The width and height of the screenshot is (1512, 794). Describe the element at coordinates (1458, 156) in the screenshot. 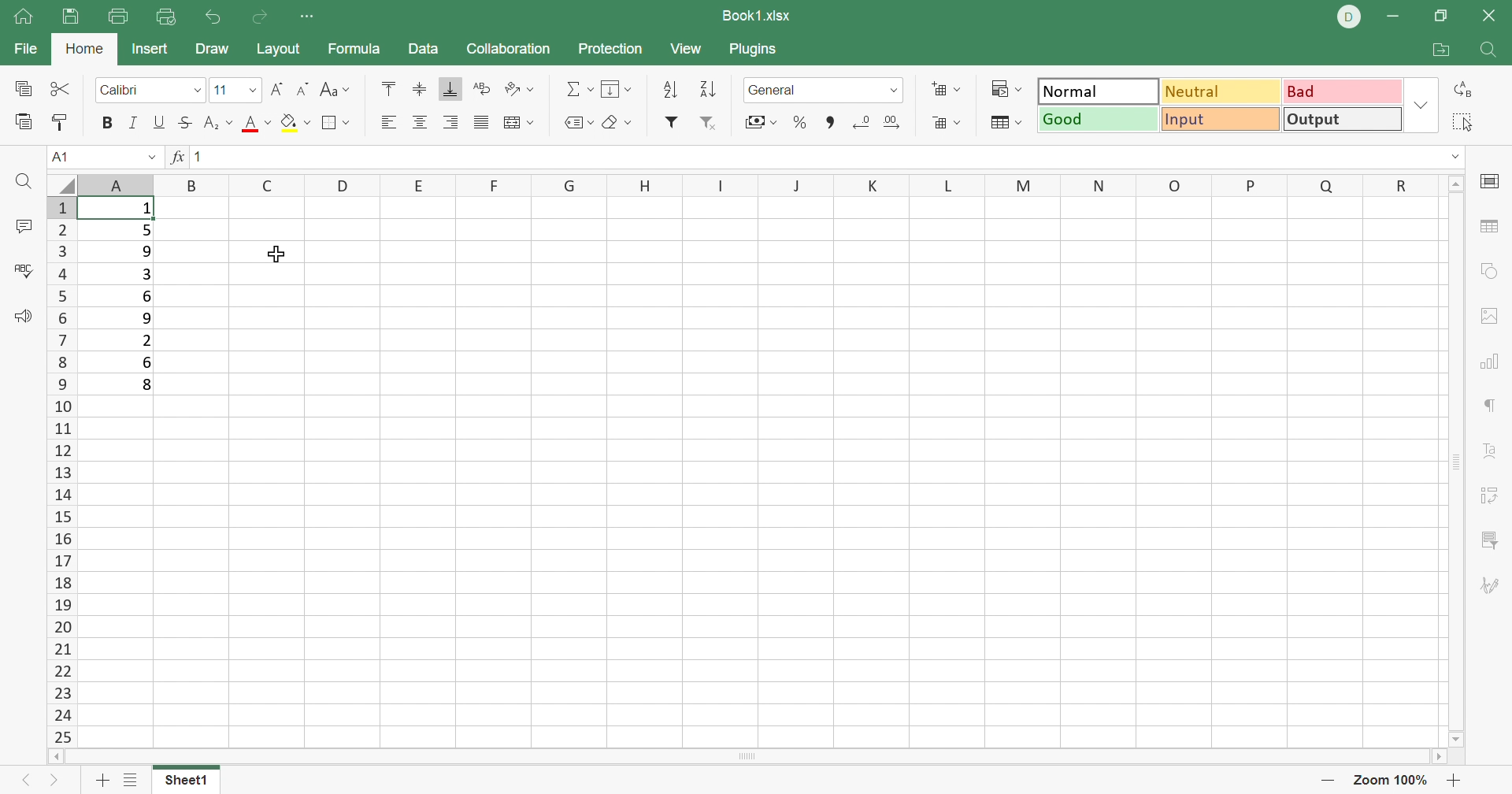

I see `Drop Down` at that location.